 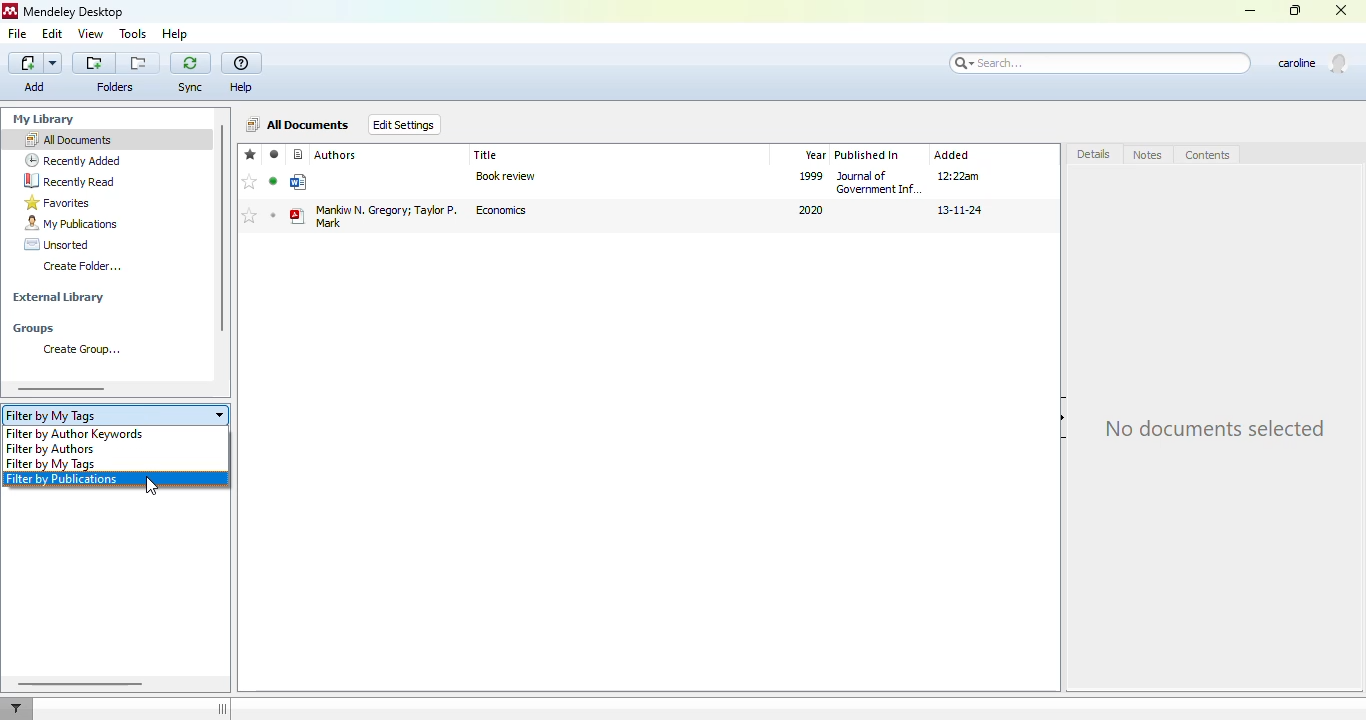 I want to click on my publications, so click(x=71, y=223).